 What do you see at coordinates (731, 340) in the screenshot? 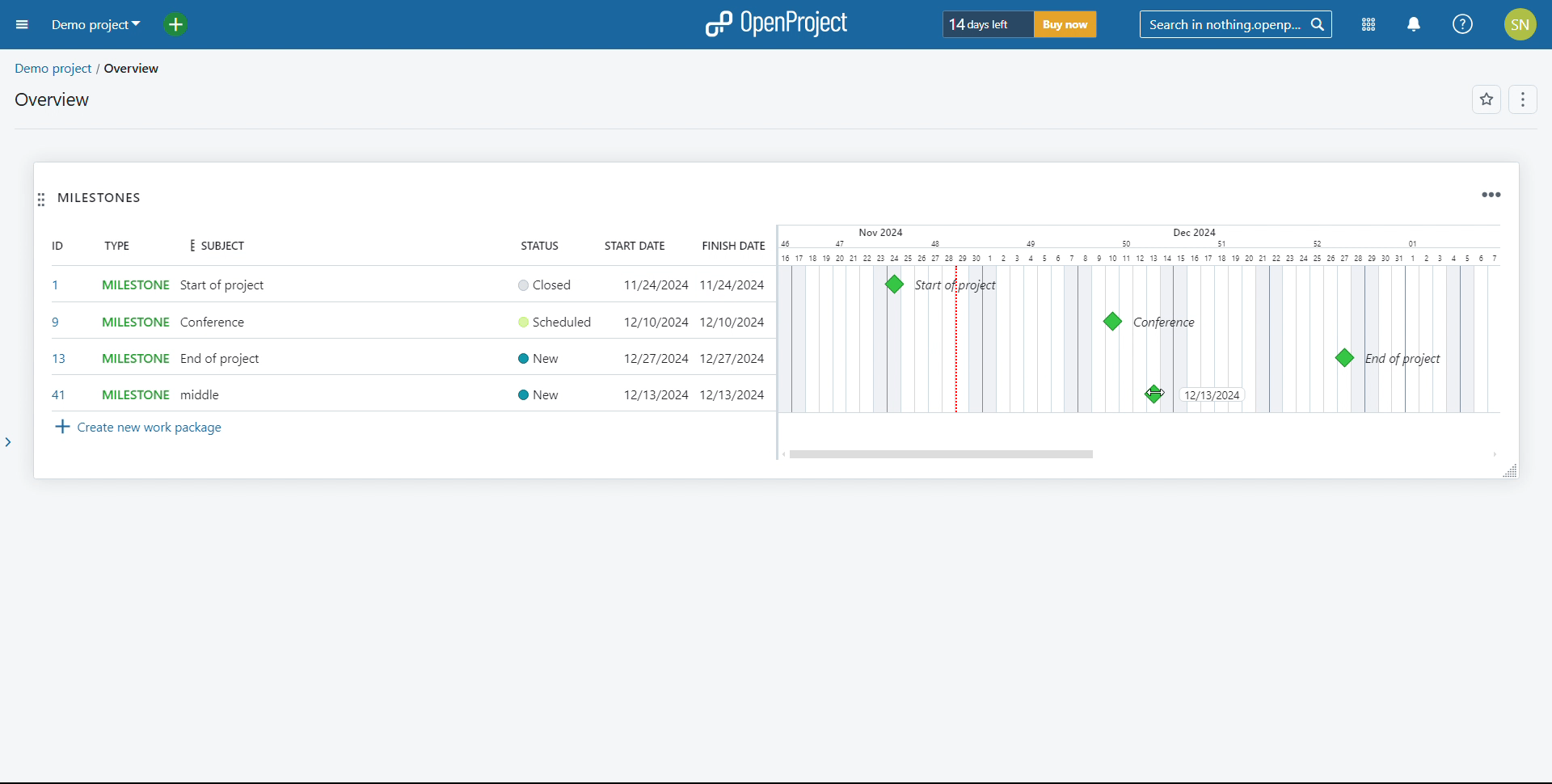
I see `finish date` at bounding box center [731, 340].